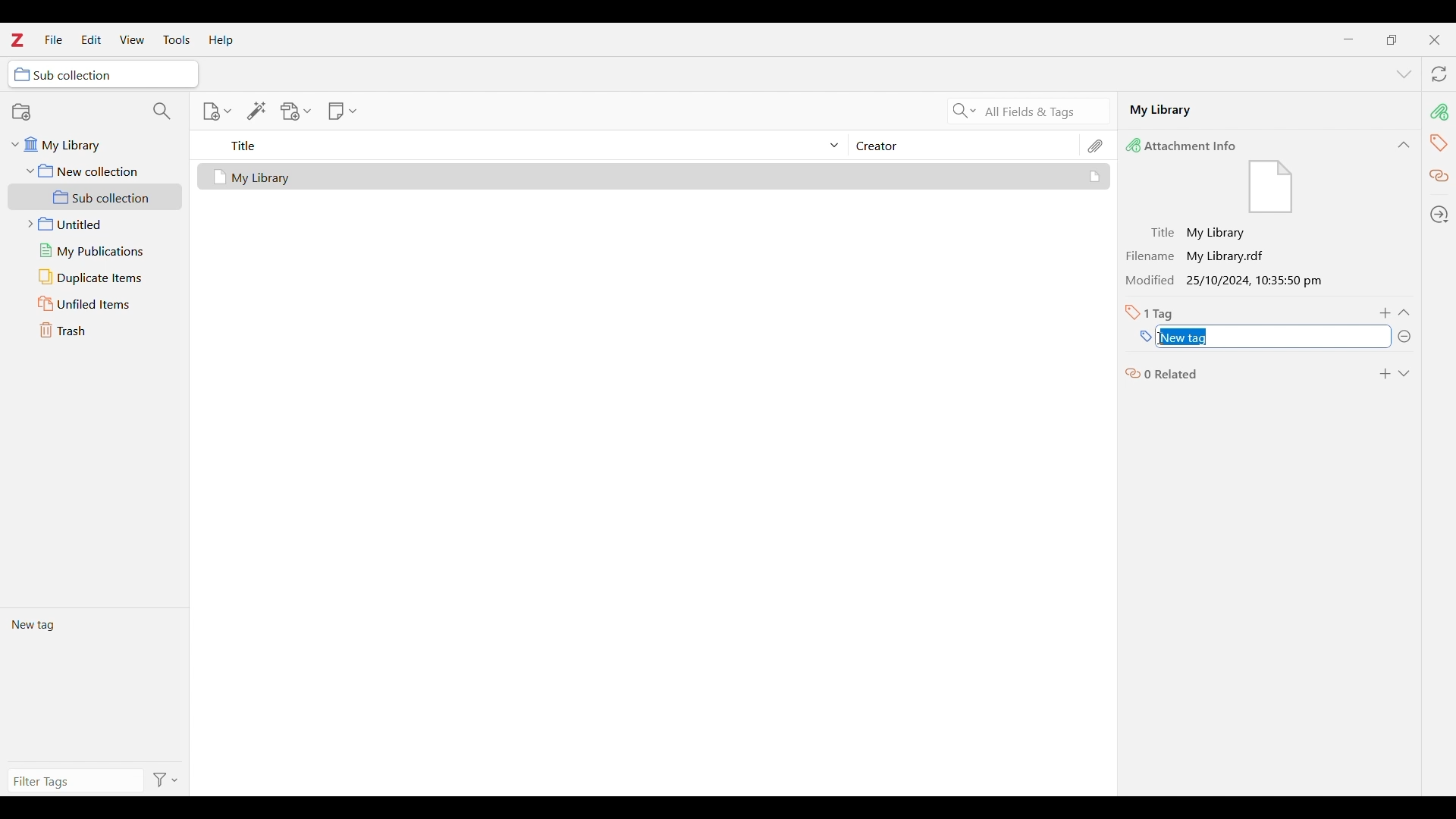 The width and height of the screenshot is (1456, 819). Describe the element at coordinates (217, 111) in the screenshot. I see `New item options` at that location.